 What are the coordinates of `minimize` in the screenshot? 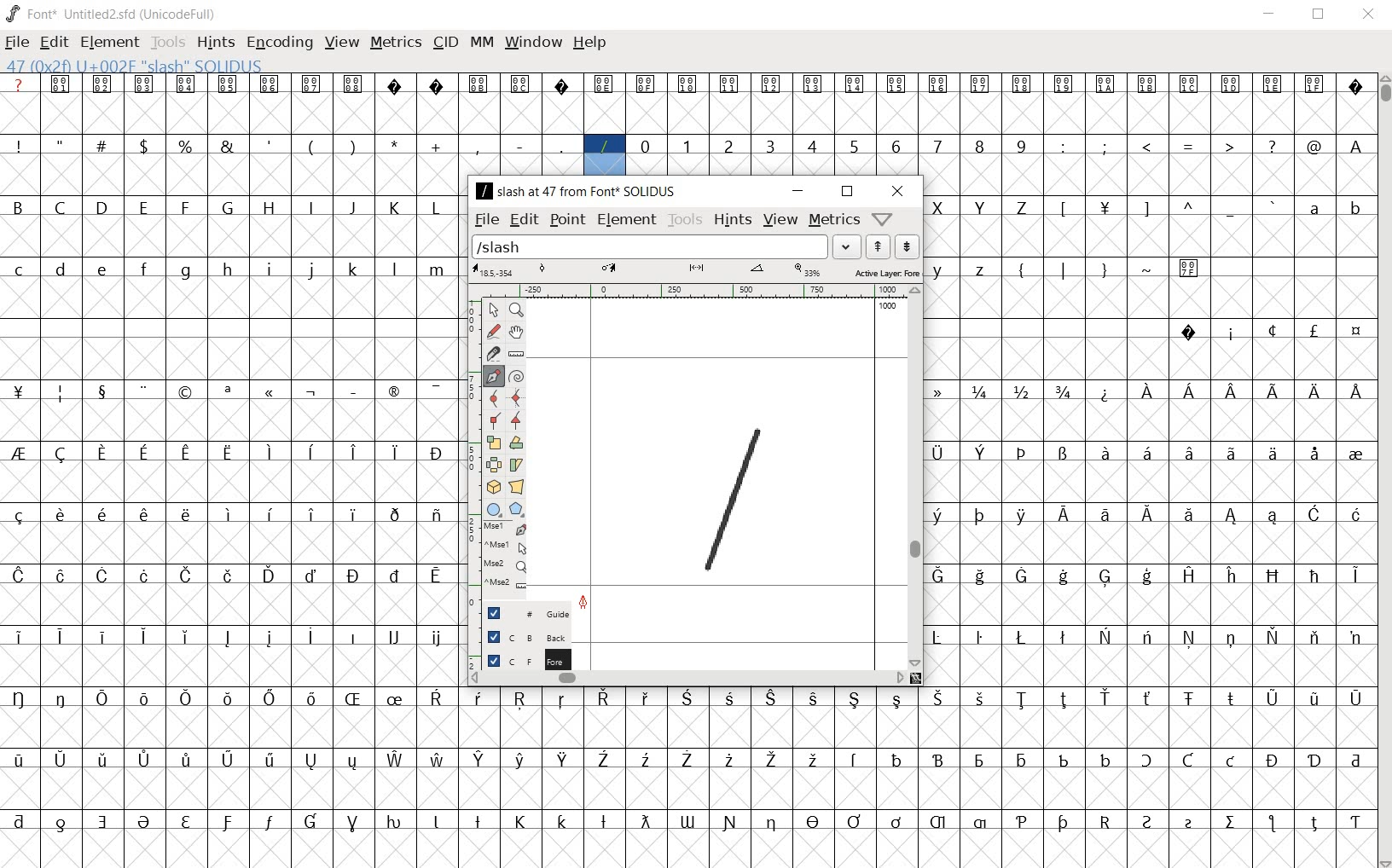 It's located at (797, 190).